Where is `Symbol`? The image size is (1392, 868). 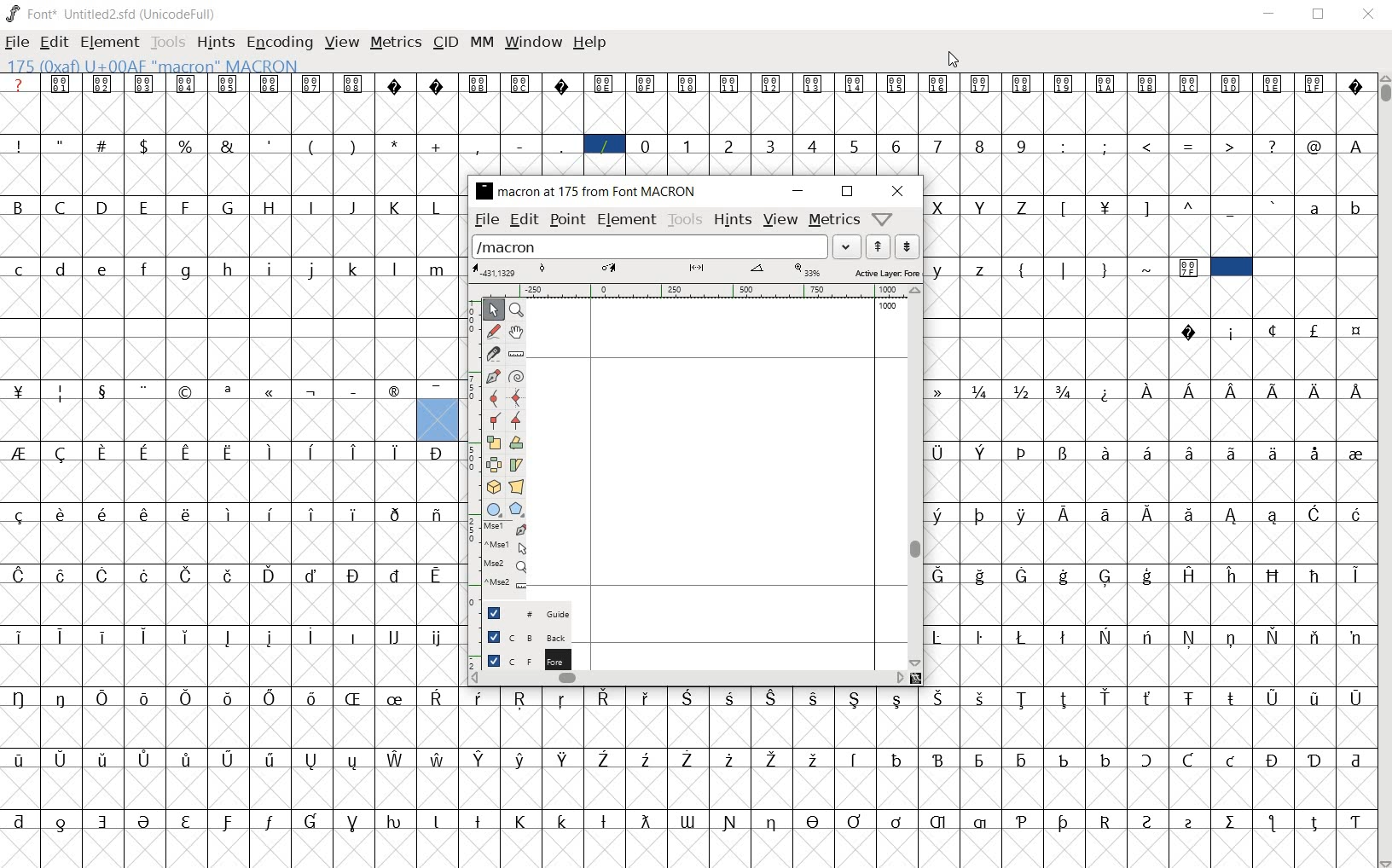
Symbol is located at coordinates (1107, 453).